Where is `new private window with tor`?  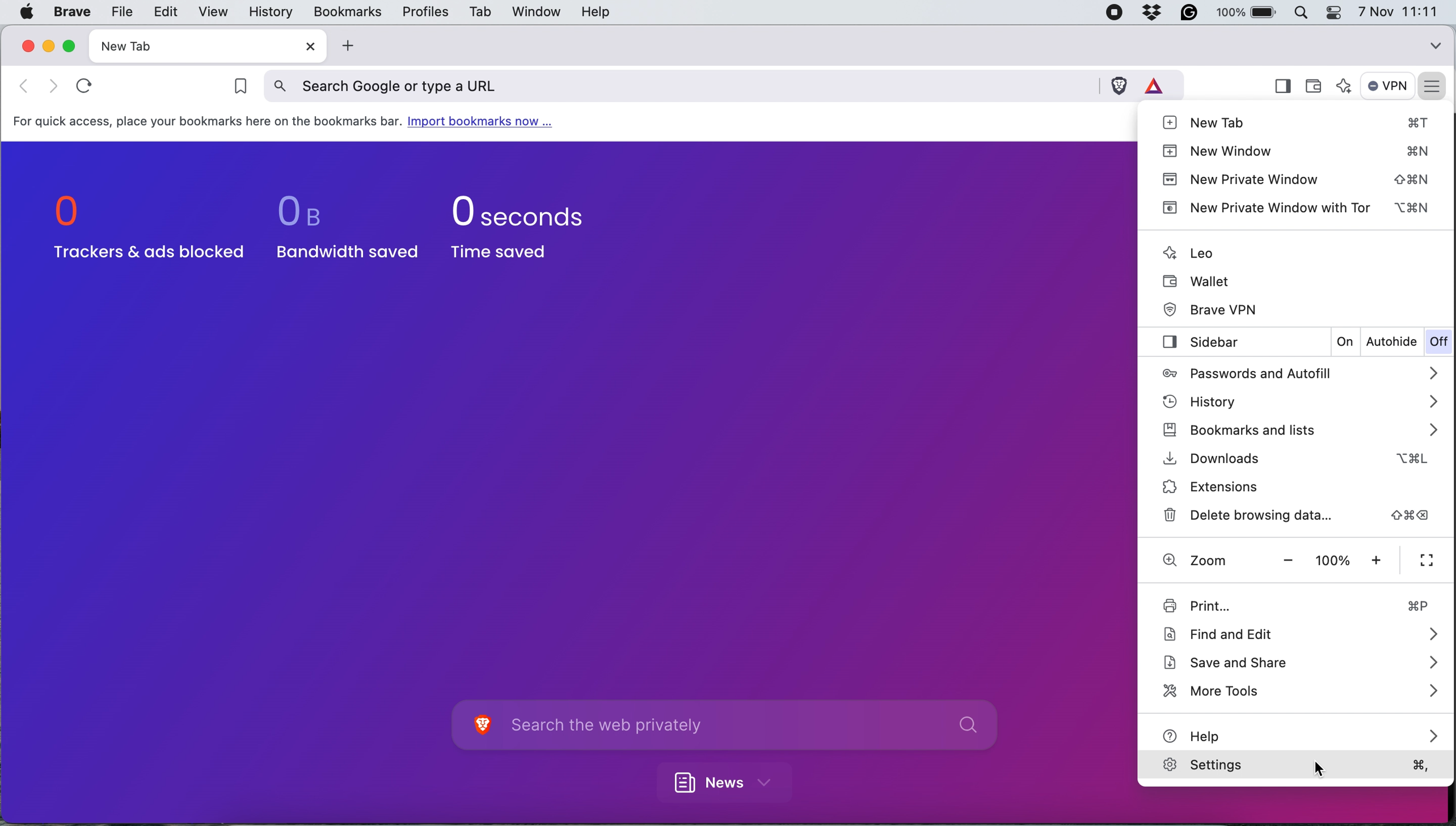
new private window with tor is located at coordinates (1299, 208).